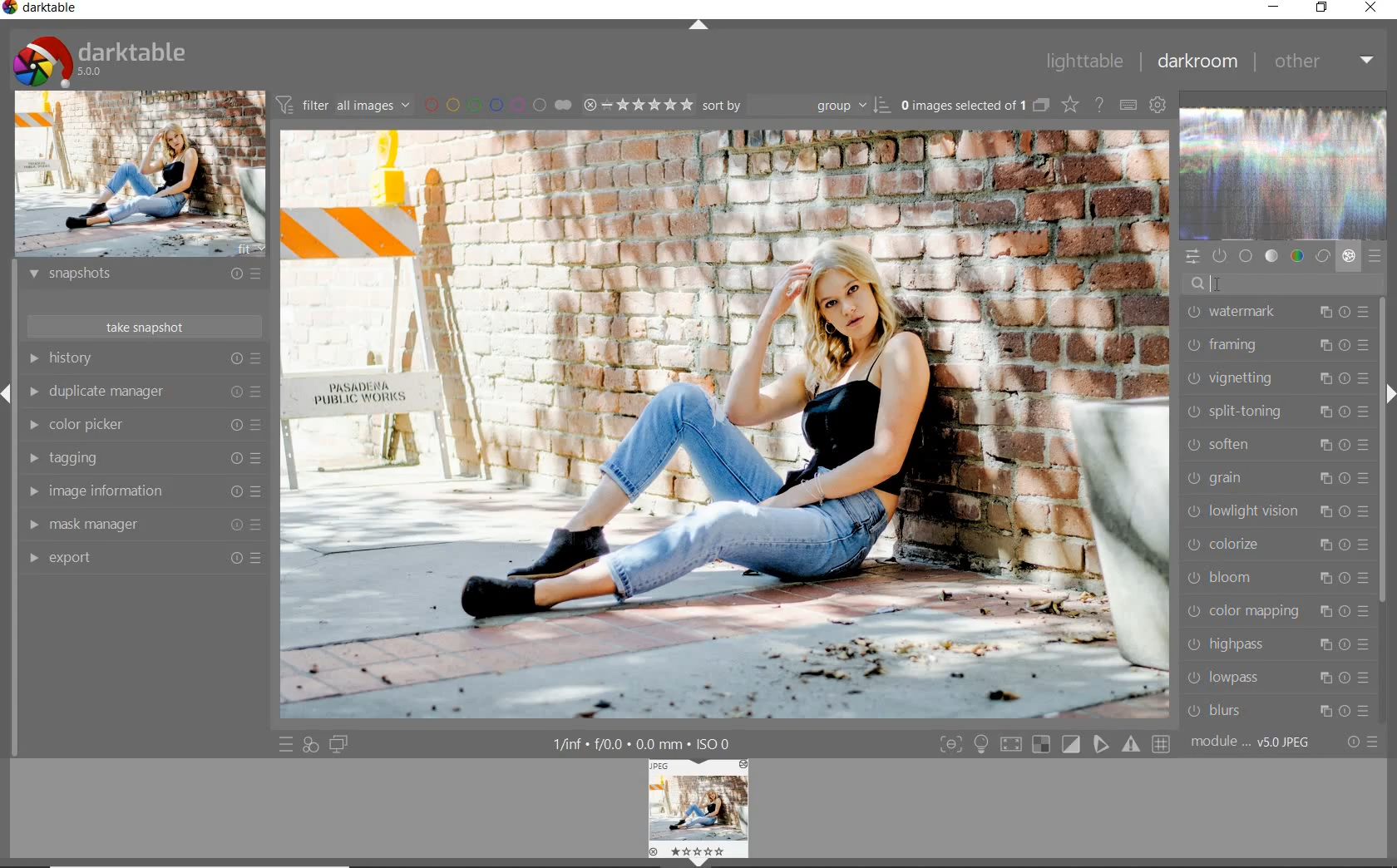  What do you see at coordinates (144, 361) in the screenshot?
I see `history` at bounding box center [144, 361].